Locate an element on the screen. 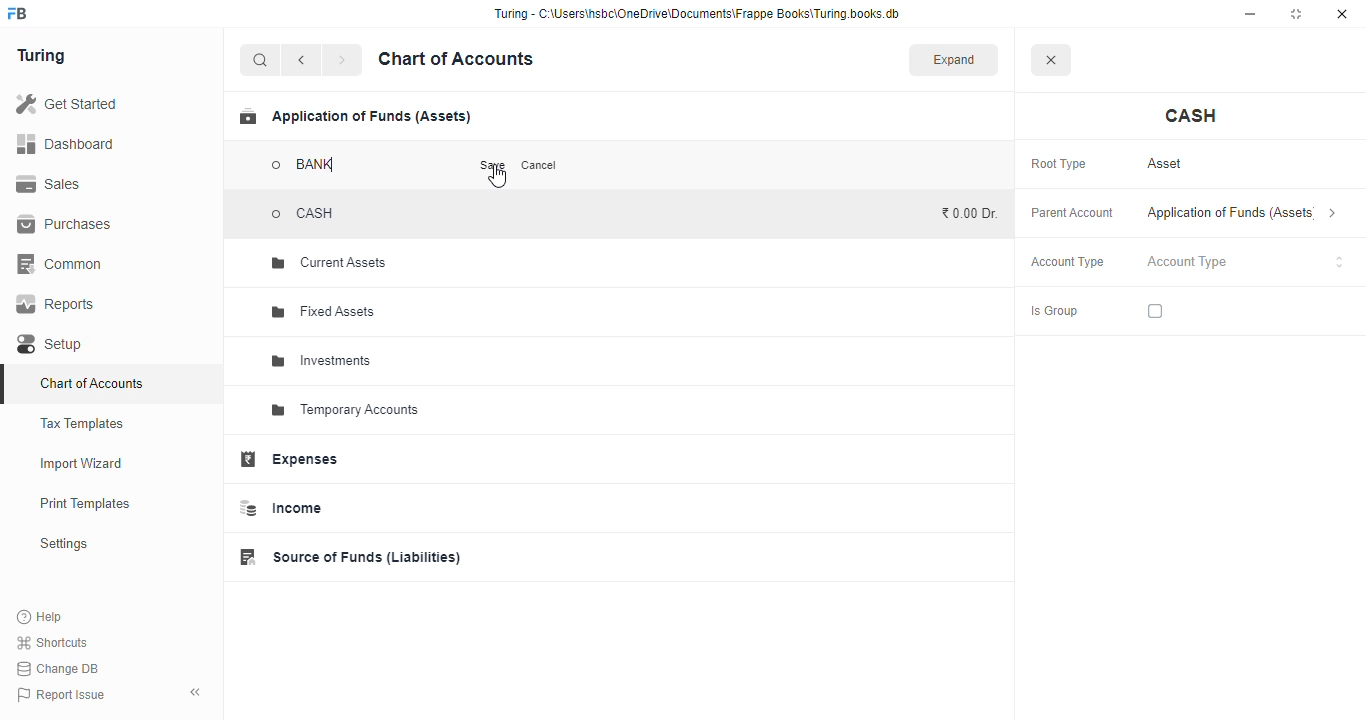 The height and width of the screenshot is (720, 1366). report issue is located at coordinates (60, 694).